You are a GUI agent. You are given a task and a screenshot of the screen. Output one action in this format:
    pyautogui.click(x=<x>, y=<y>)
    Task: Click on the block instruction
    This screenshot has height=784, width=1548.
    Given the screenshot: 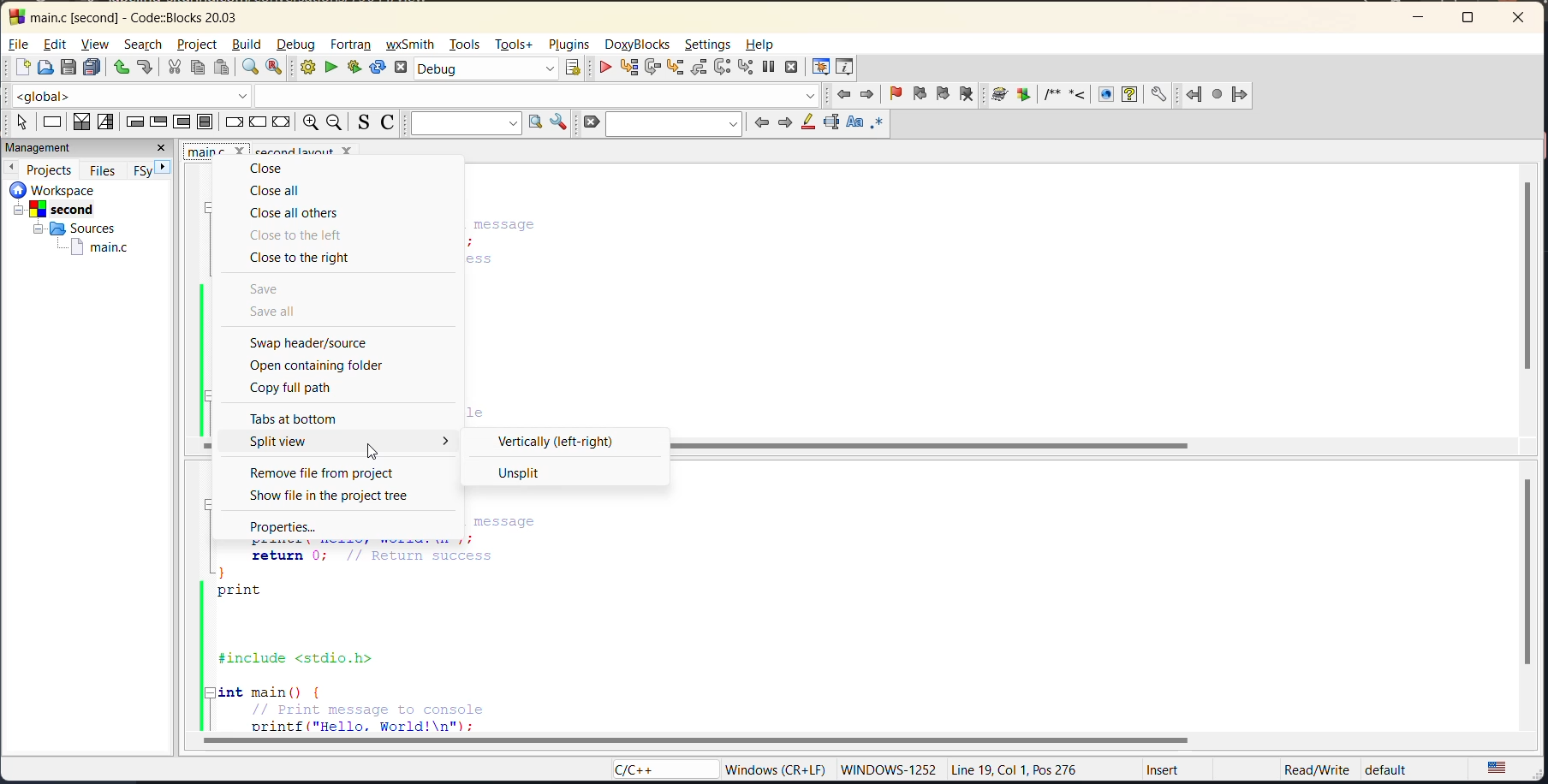 What is the action you would take?
    pyautogui.click(x=205, y=122)
    